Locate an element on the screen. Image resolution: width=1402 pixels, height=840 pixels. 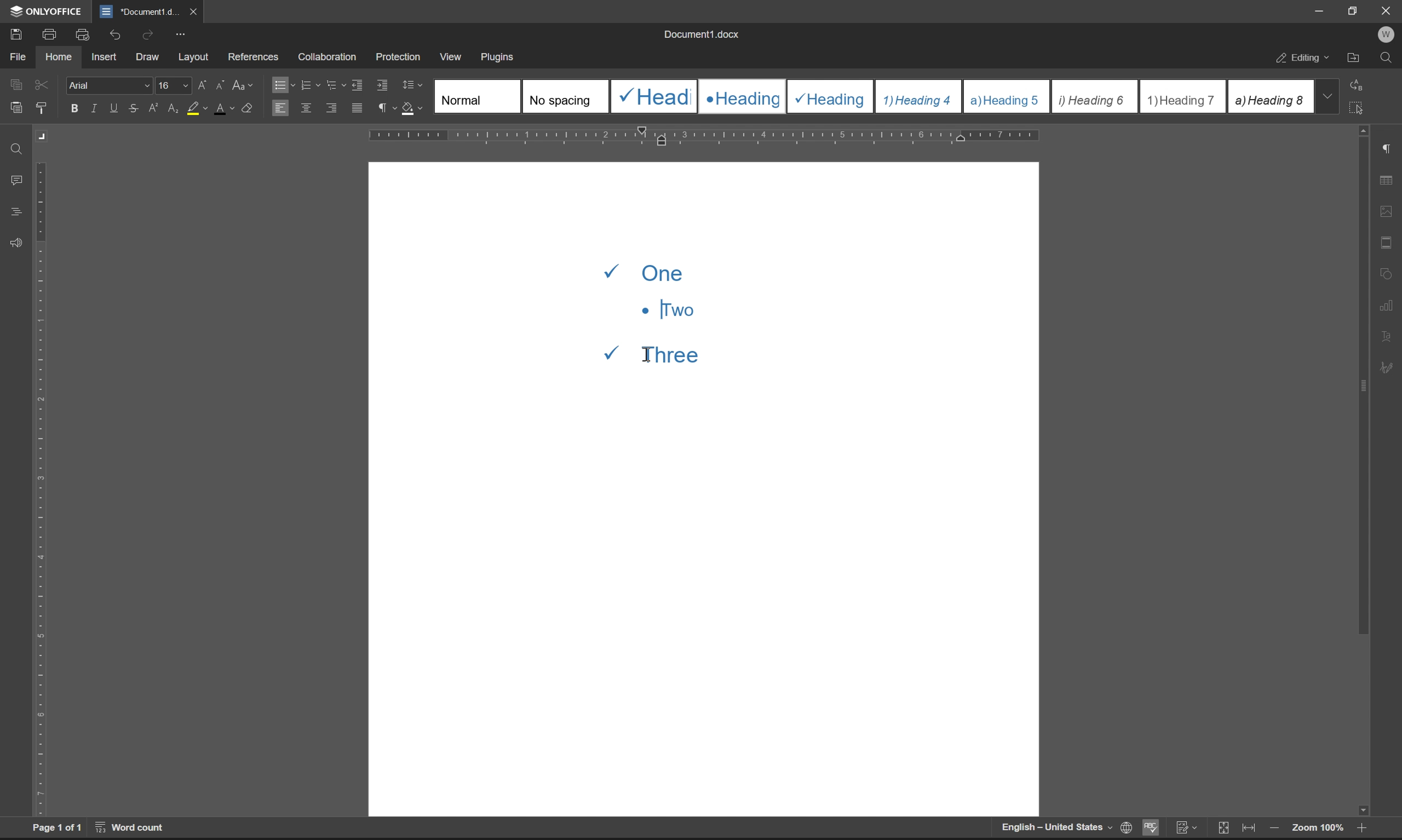
align center is located at coordinates (307, 107).